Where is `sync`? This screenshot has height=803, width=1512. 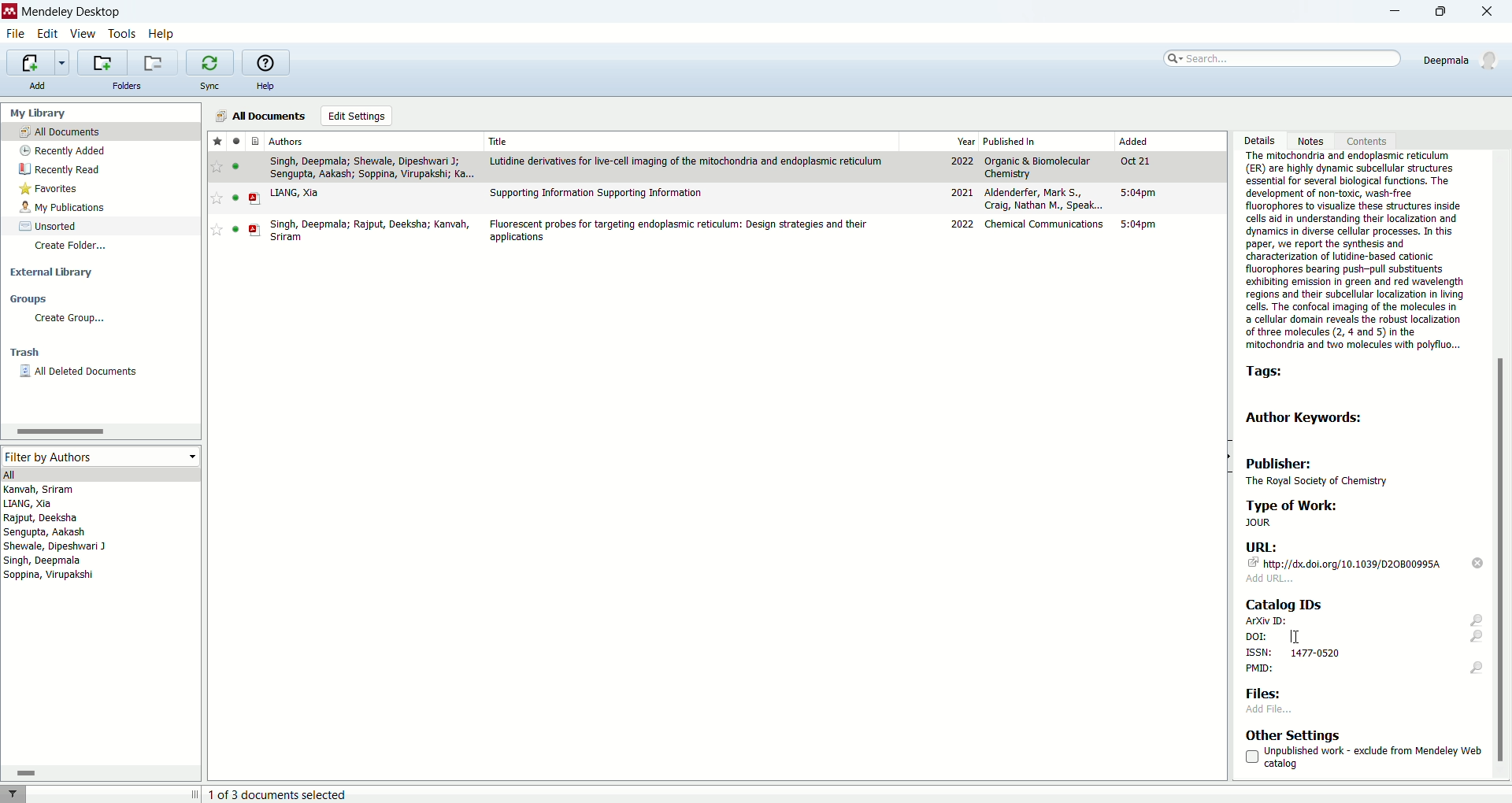
sync is located at coordinates (209, 86).